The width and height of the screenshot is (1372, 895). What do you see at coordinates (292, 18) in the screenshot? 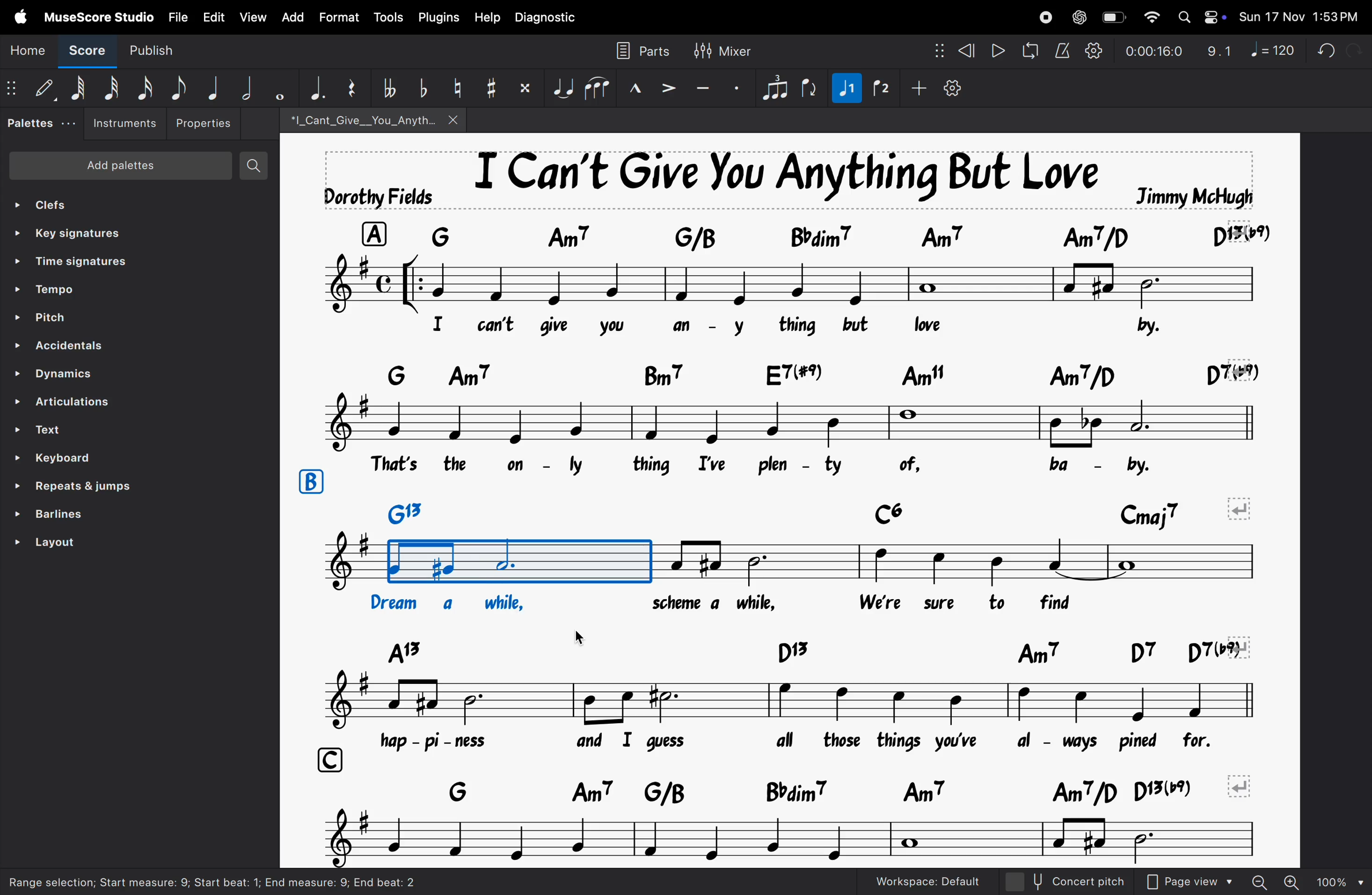
I see `add` at bounding box center [292, 18].